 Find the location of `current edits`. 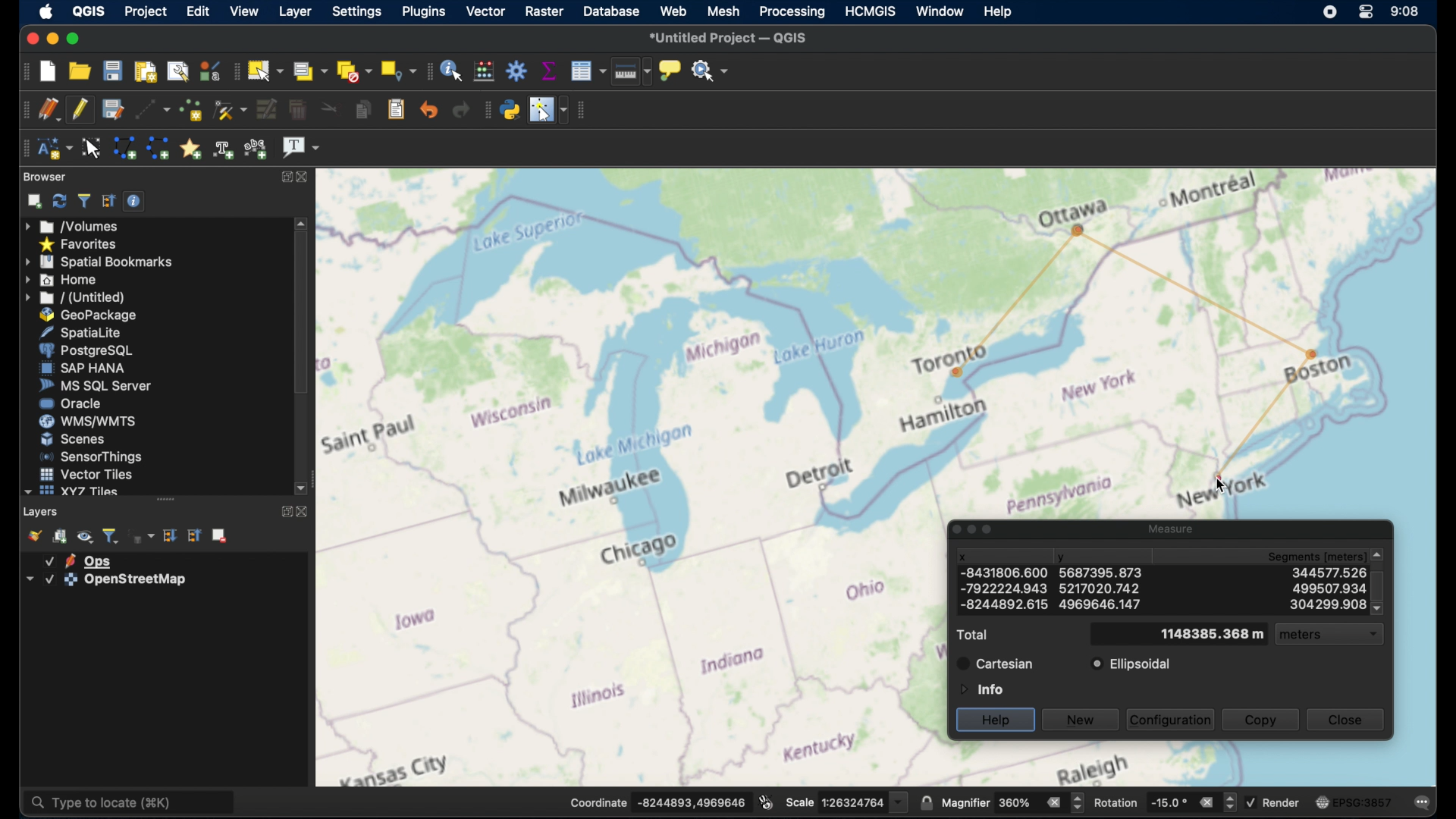

current edits is located at coordinates (49, 109).